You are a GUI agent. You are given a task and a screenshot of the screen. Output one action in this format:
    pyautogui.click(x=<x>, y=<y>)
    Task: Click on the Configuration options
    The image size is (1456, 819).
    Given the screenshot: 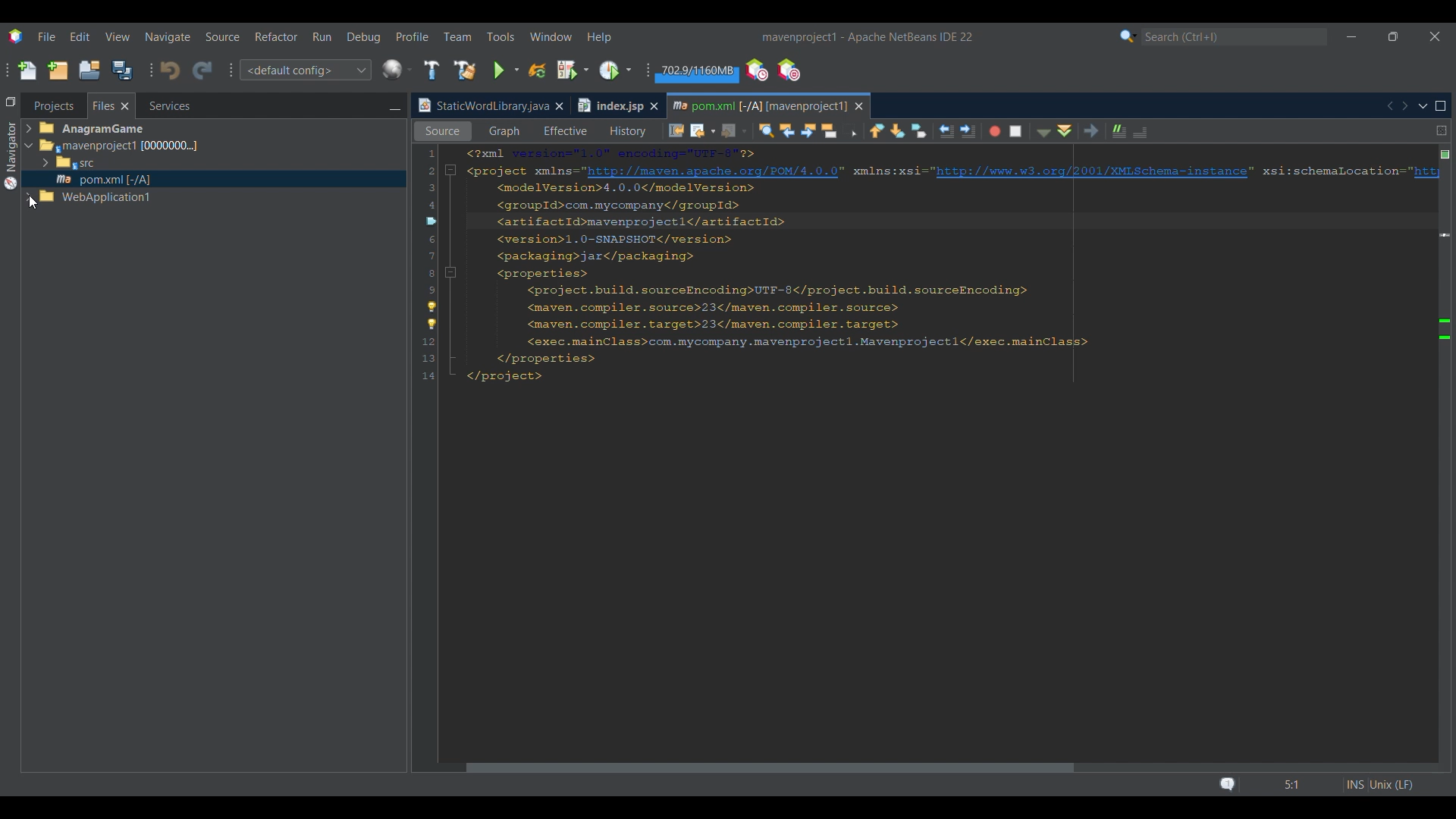 What is the action you would take?
    pyautogui.click(x=305, y=70)
    